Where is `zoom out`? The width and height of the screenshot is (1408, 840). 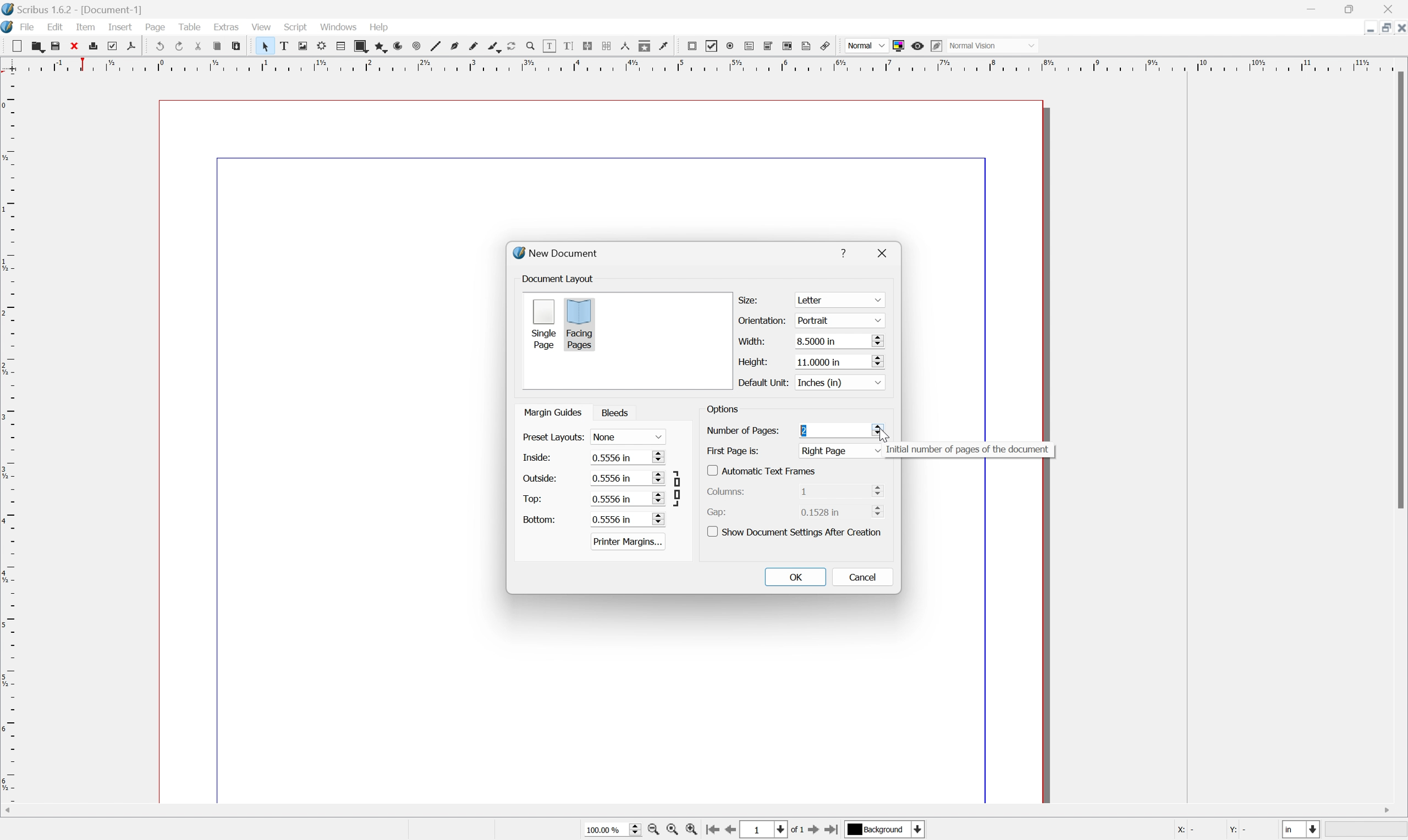
zoom out is located at coordinates (654, 830).